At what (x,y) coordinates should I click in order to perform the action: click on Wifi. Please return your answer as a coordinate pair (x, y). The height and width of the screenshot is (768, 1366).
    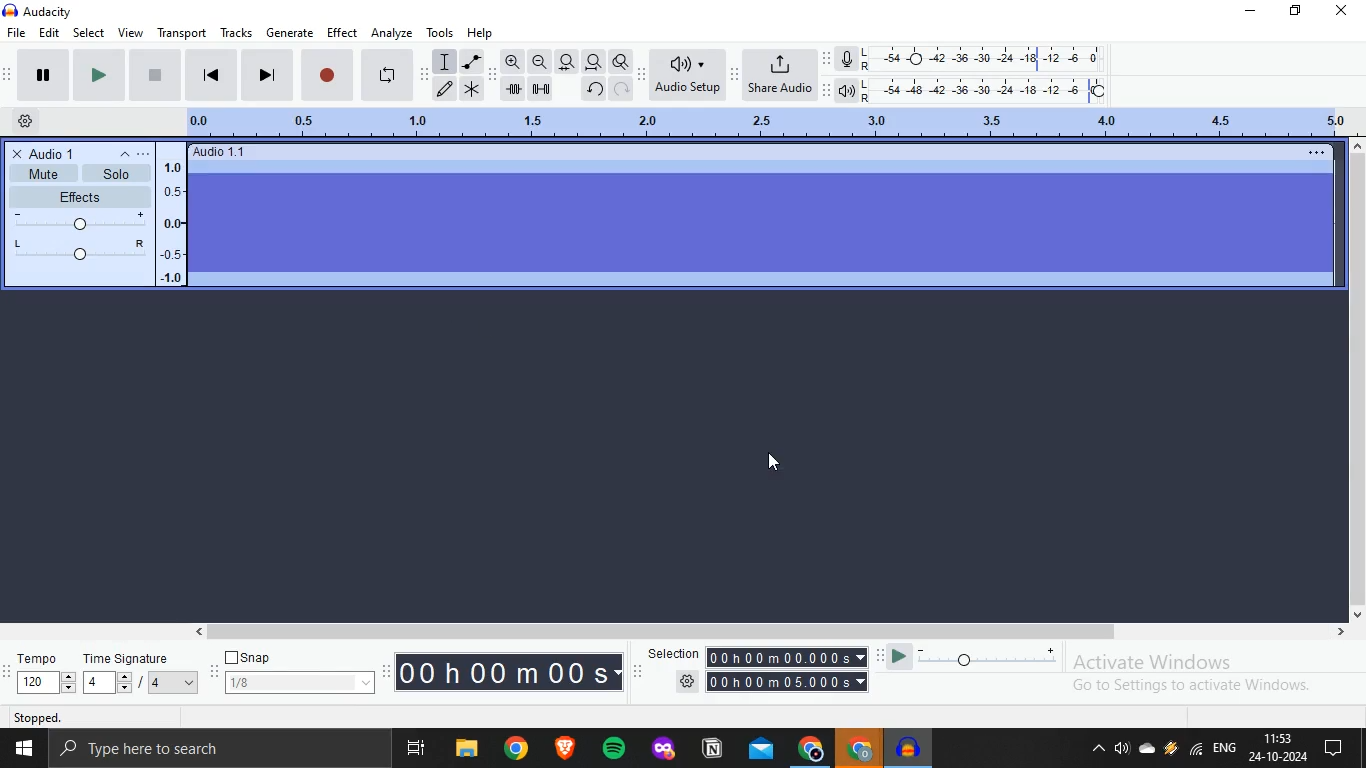
    Looking at the image, I should click on (1197, 752).